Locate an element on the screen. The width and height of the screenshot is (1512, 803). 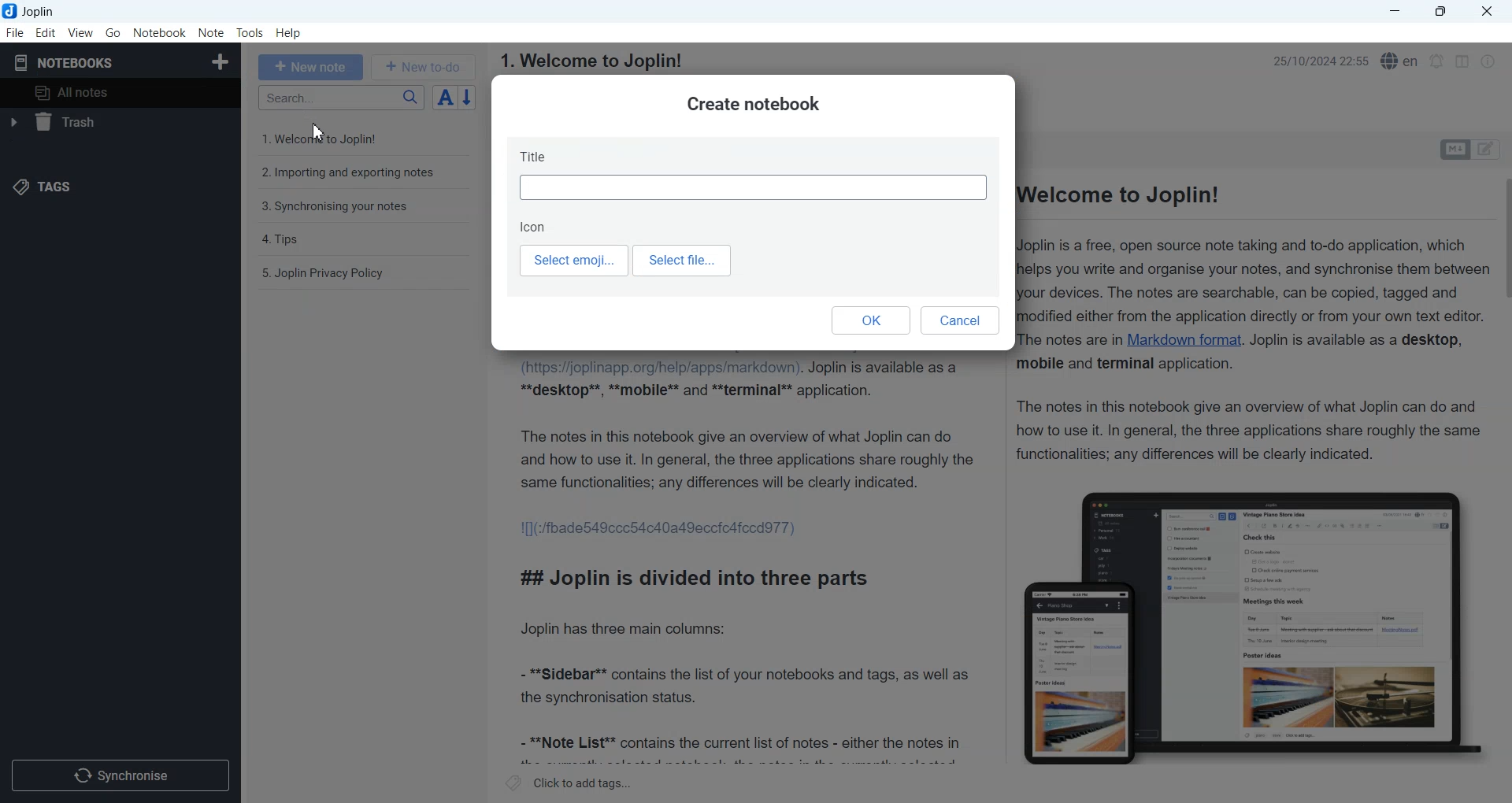
Search bar is located at coordinates (341, 98).